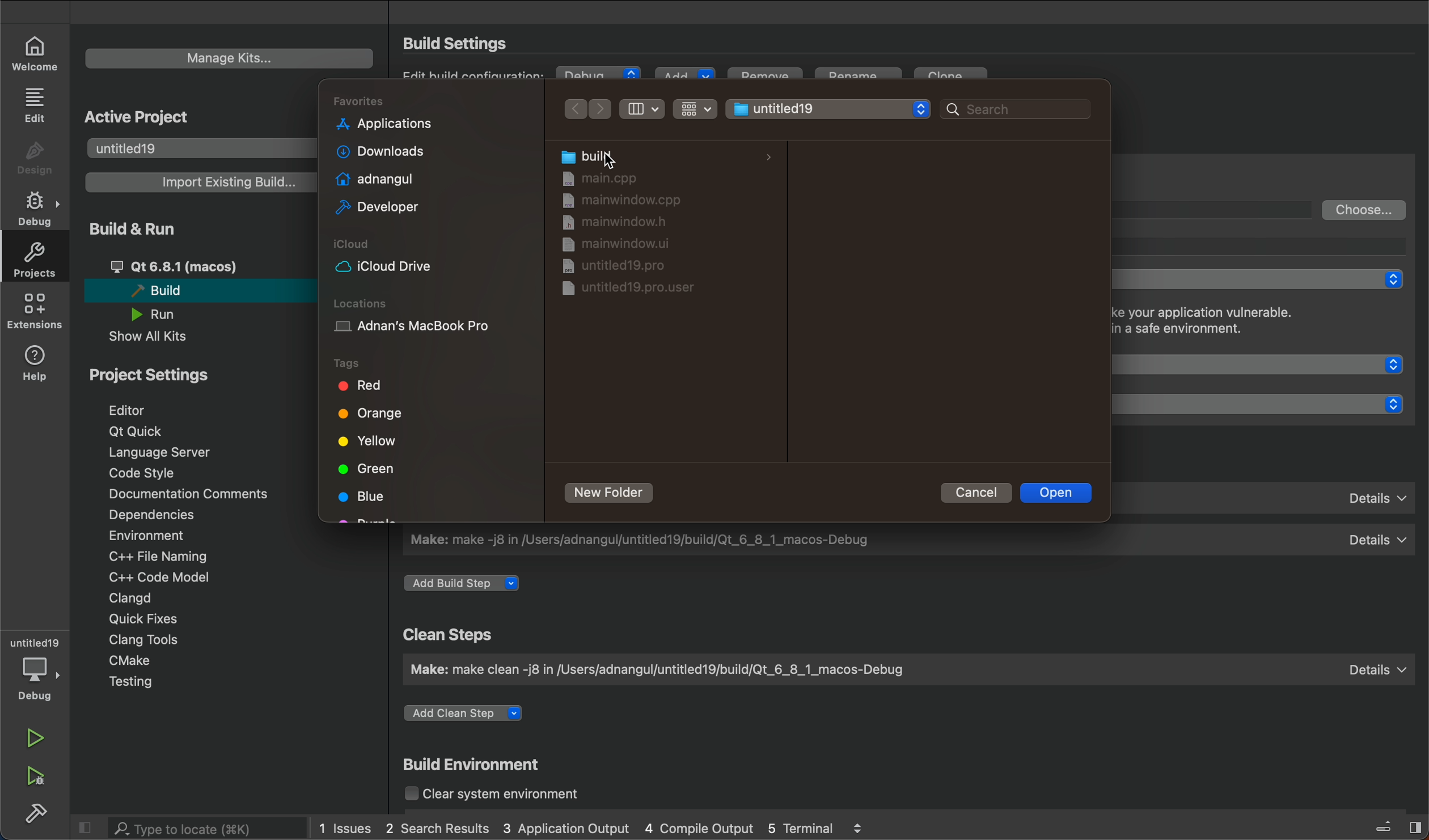 The height and width of the screenshot is (840, 1429). Describe the element at coordinates (954, 78) in the screenshot. I see `clone` at that location.